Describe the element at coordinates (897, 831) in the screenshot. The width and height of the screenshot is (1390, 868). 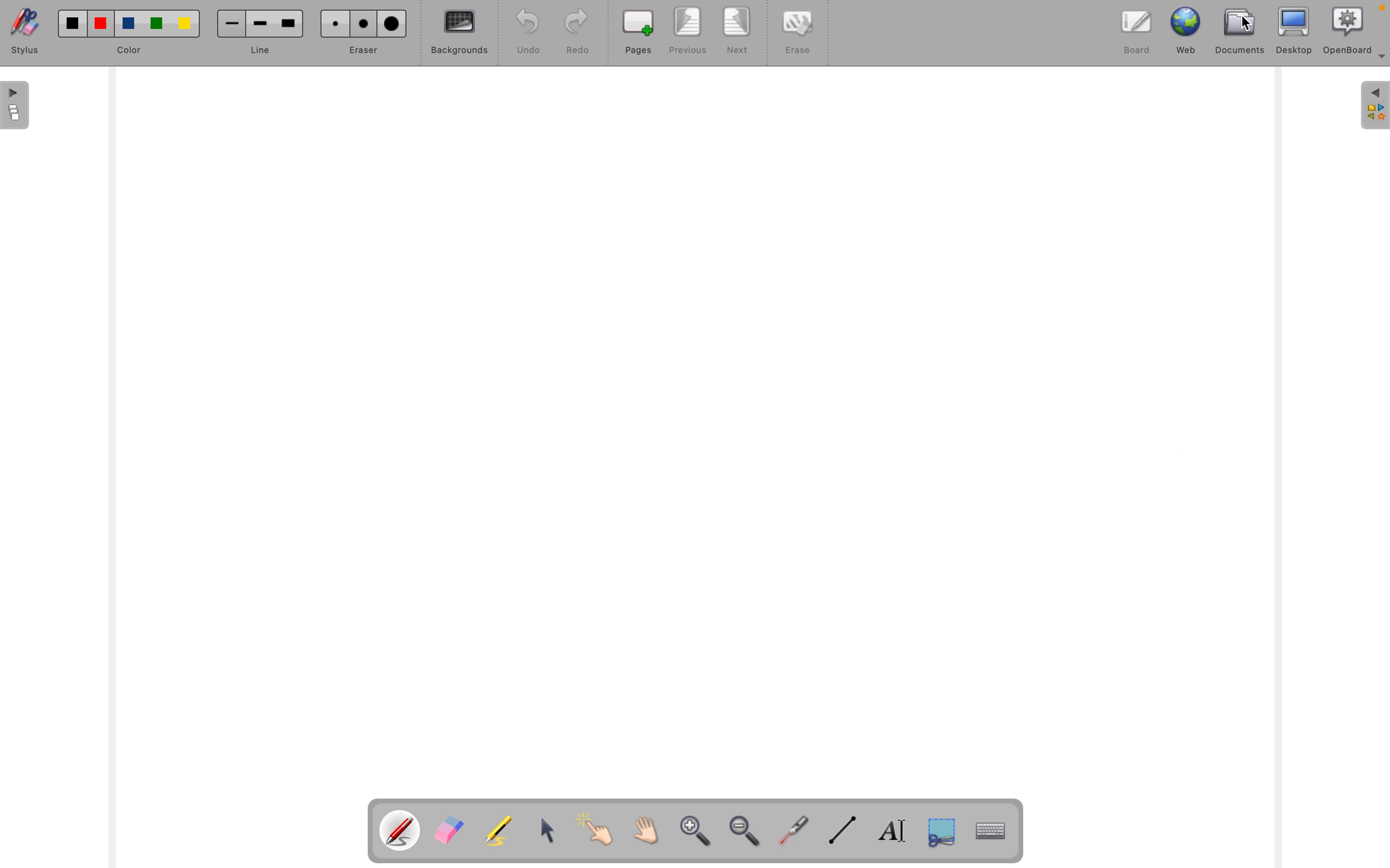
I see `write text` at that location.